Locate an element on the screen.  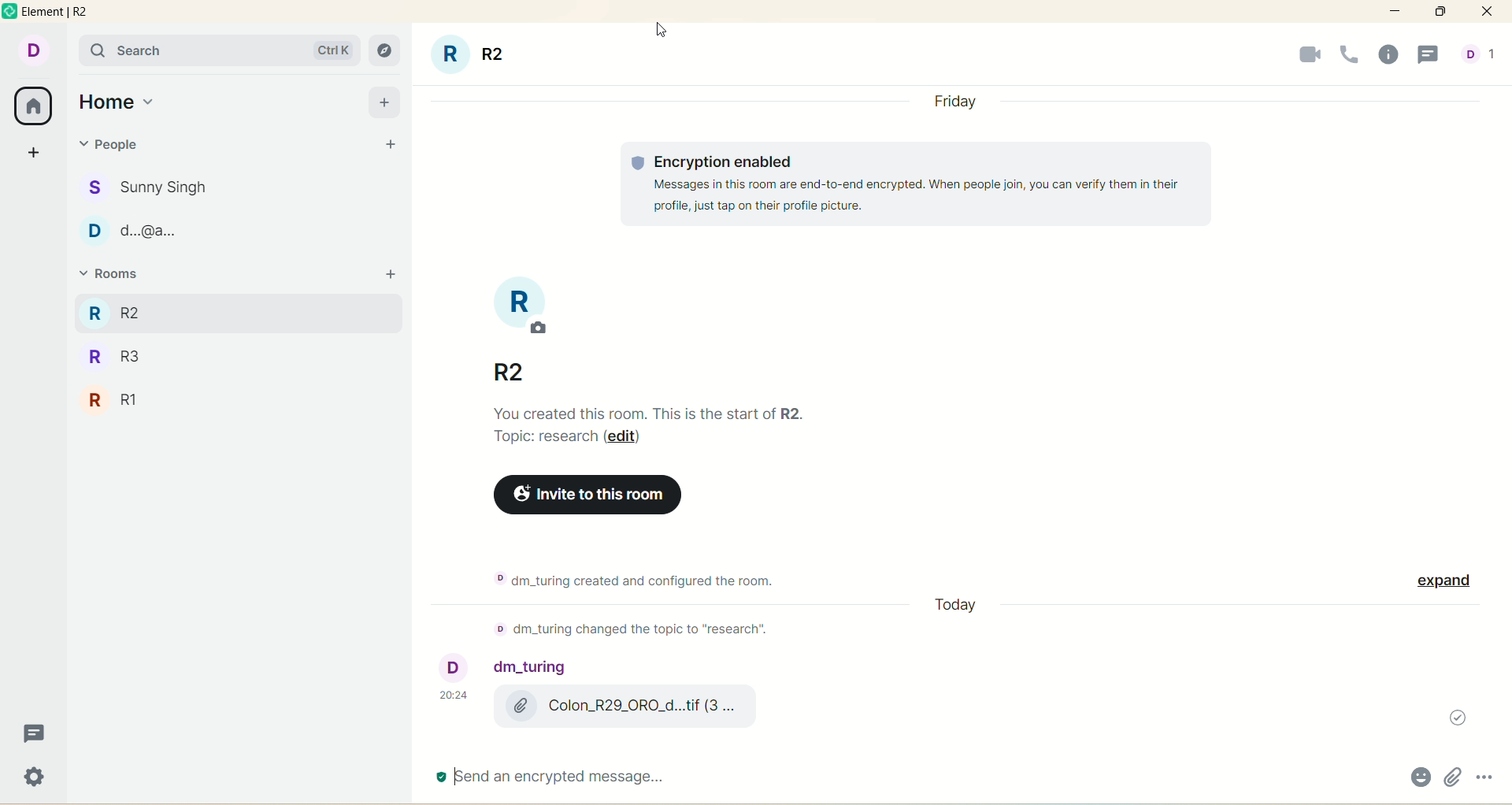
all rooms is located at coordinates (31, 106).